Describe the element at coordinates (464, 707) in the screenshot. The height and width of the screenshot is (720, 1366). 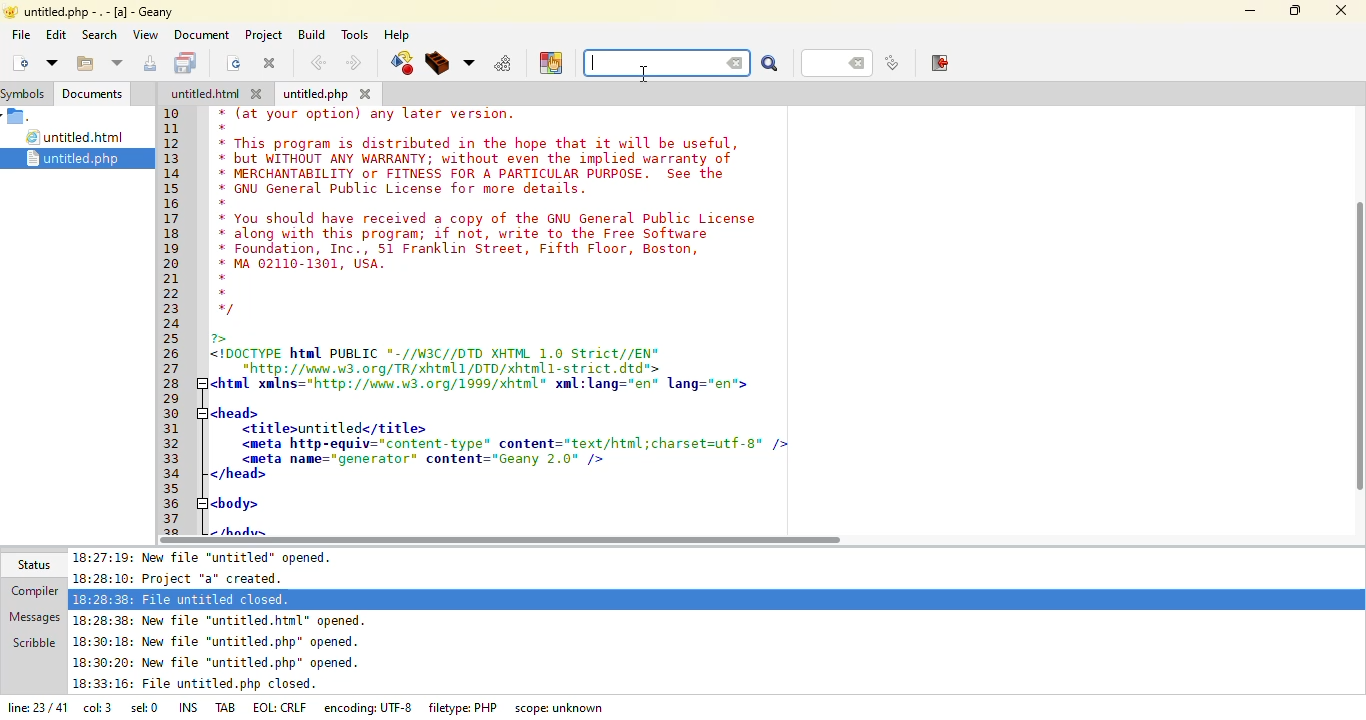
I see `filetype: php` at that location.